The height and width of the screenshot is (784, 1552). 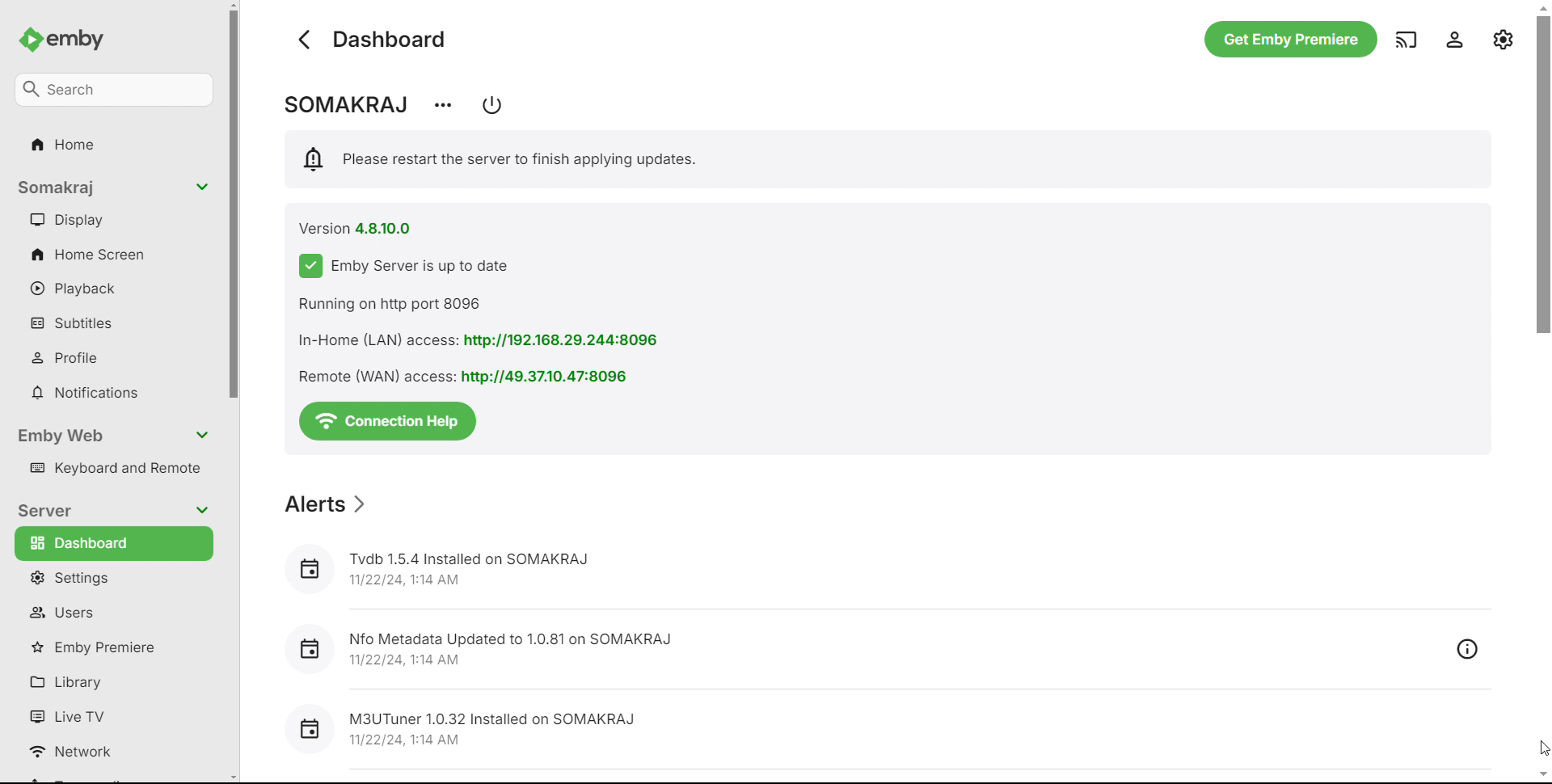 I want to click on dashboard, so click(x=113, y=544).